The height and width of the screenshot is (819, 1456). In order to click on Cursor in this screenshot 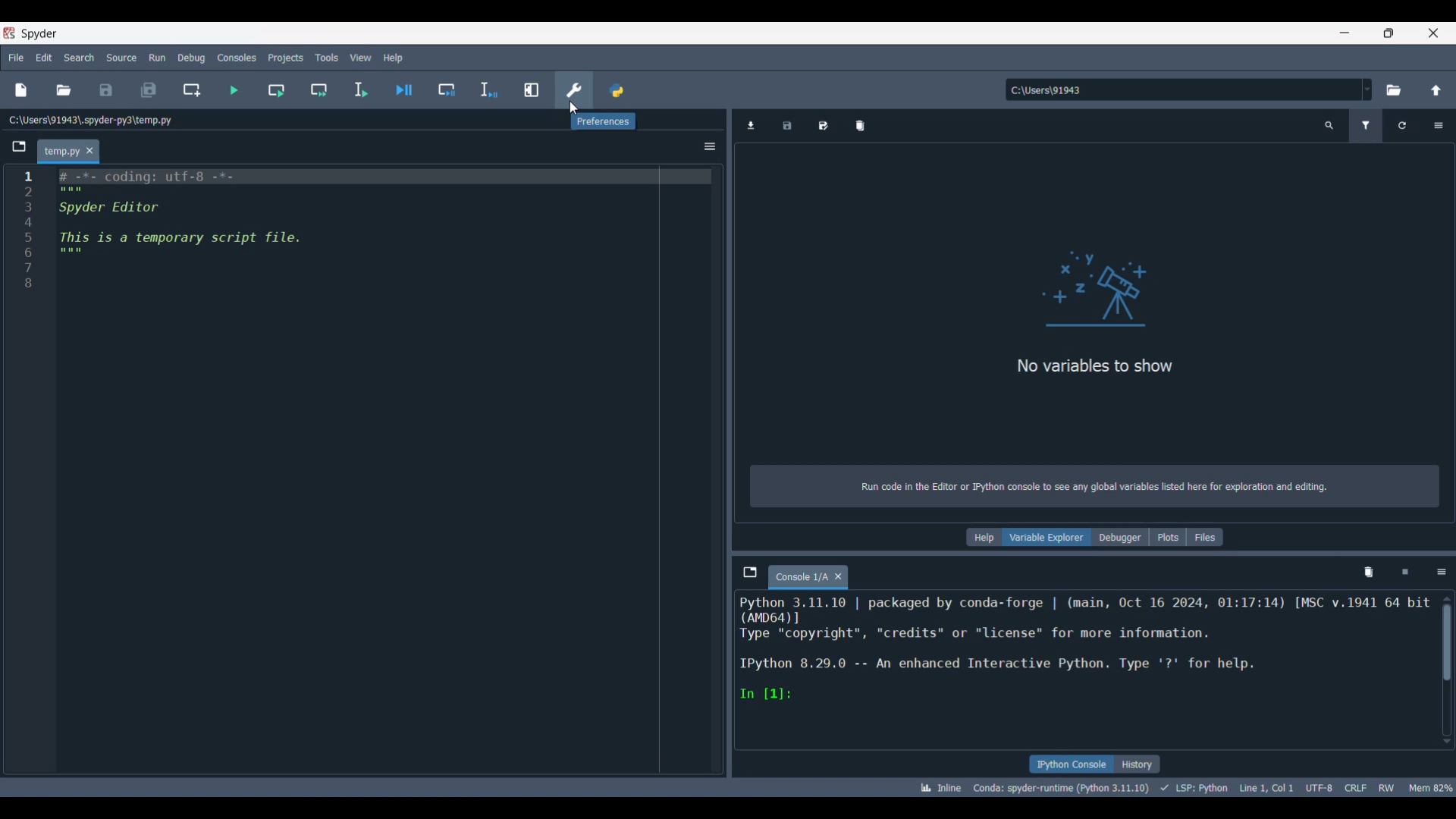, I will do `click(573, 109)`.